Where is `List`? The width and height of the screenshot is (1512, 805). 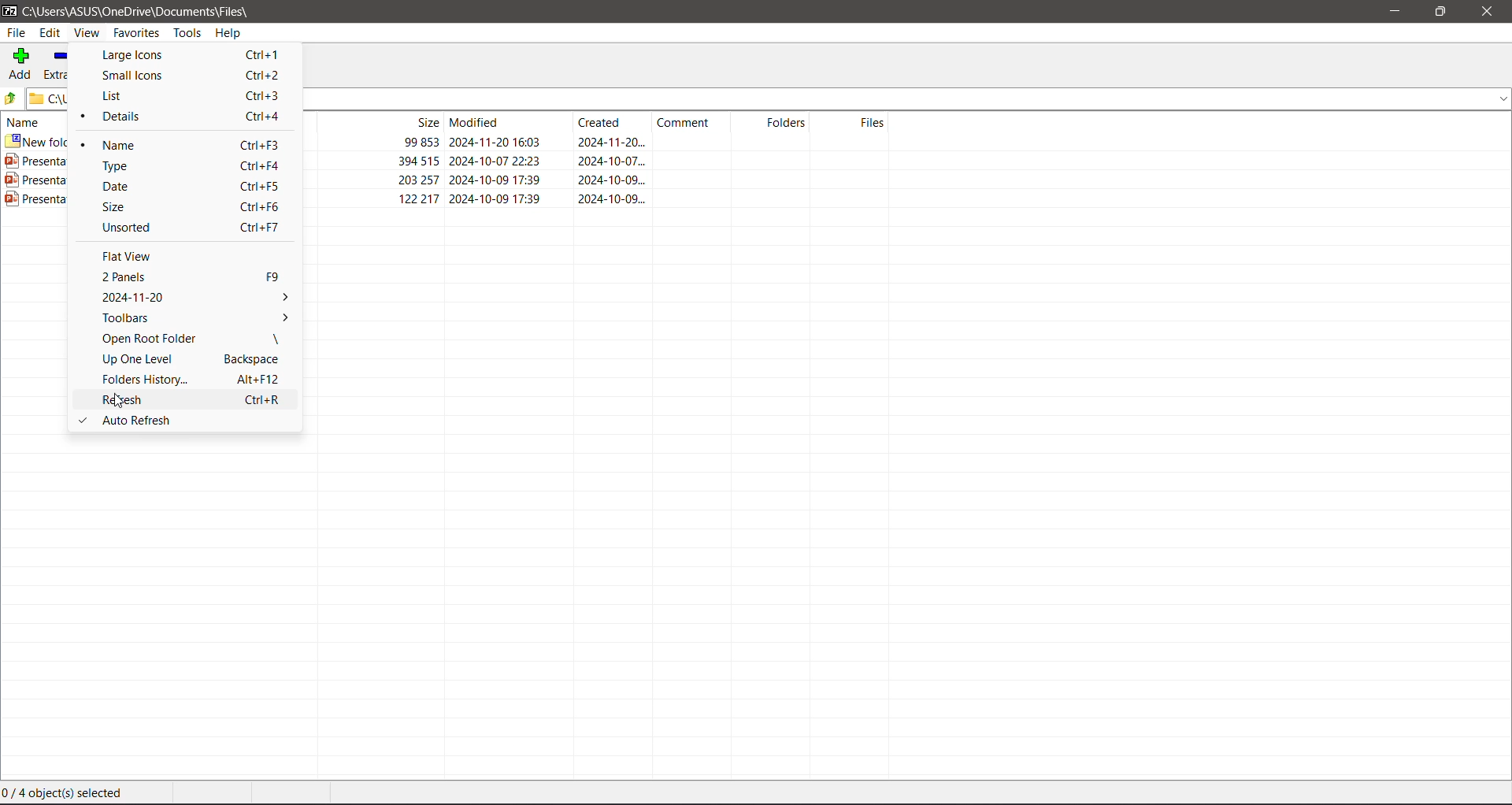 List is located at coordinates (136, 95).